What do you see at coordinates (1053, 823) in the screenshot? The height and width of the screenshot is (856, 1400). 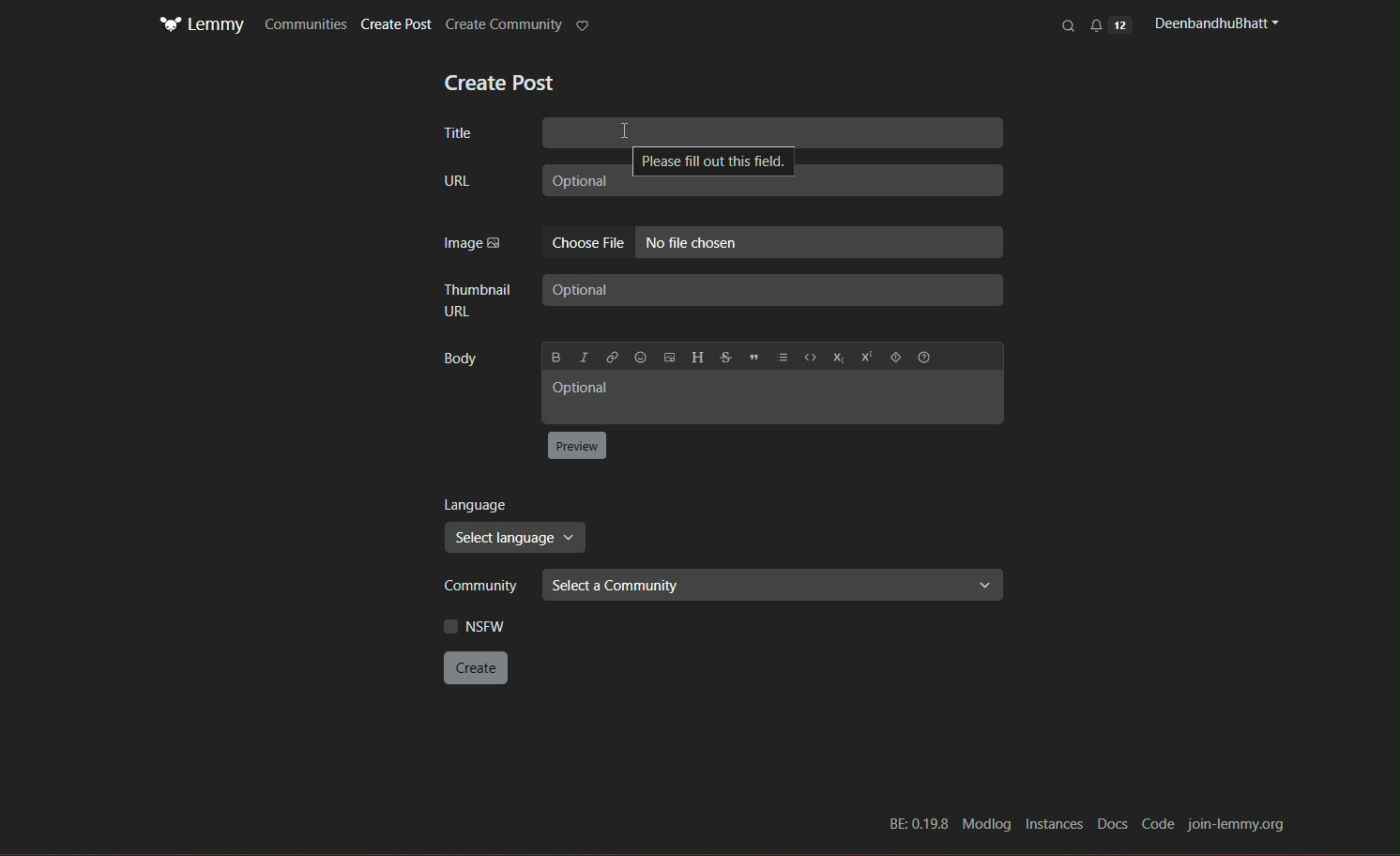 I see `Instances` at bounding box center [1053, 823].